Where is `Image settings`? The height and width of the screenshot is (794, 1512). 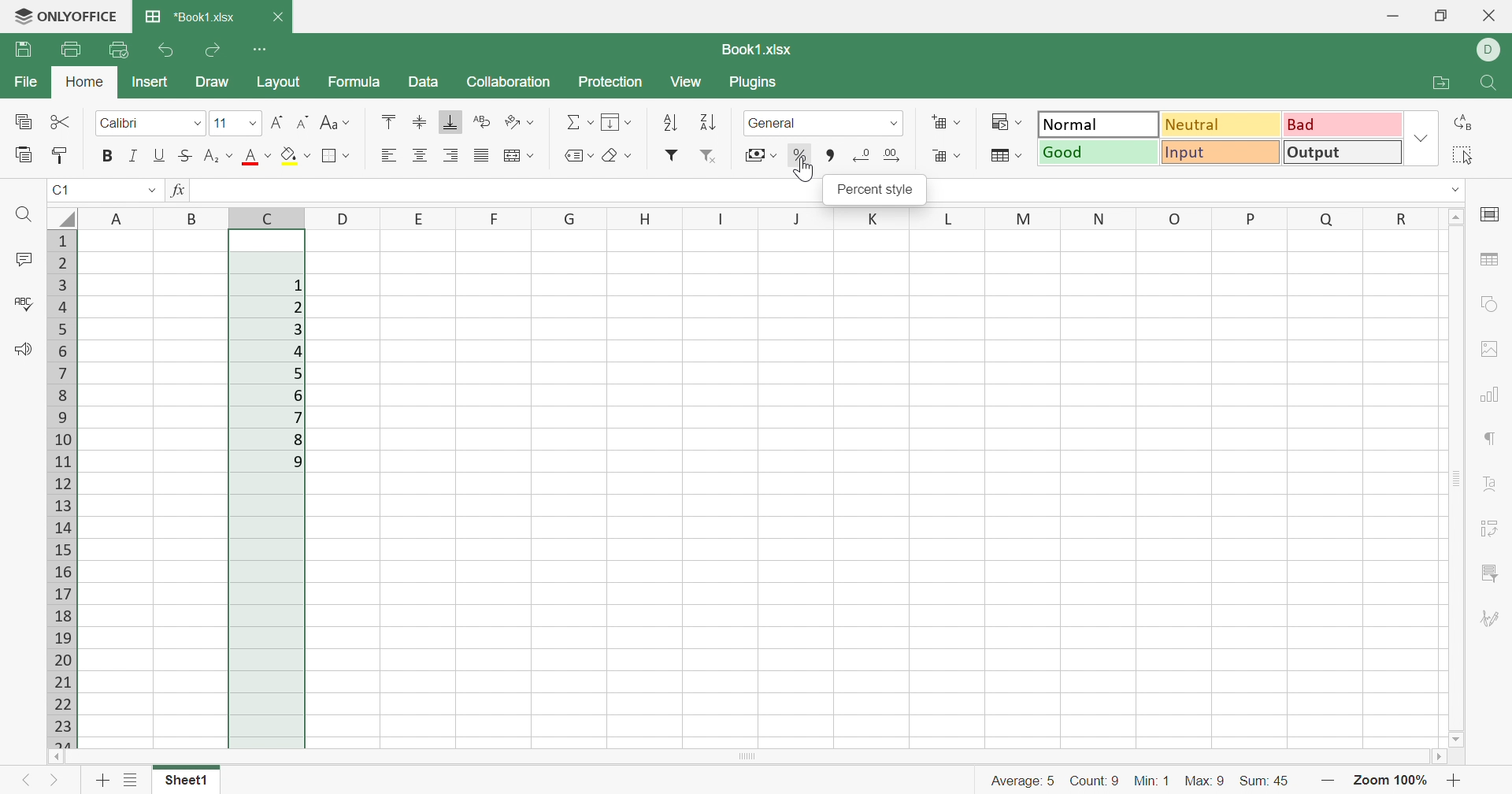
Image settings is located at coordinates (1490, 347).